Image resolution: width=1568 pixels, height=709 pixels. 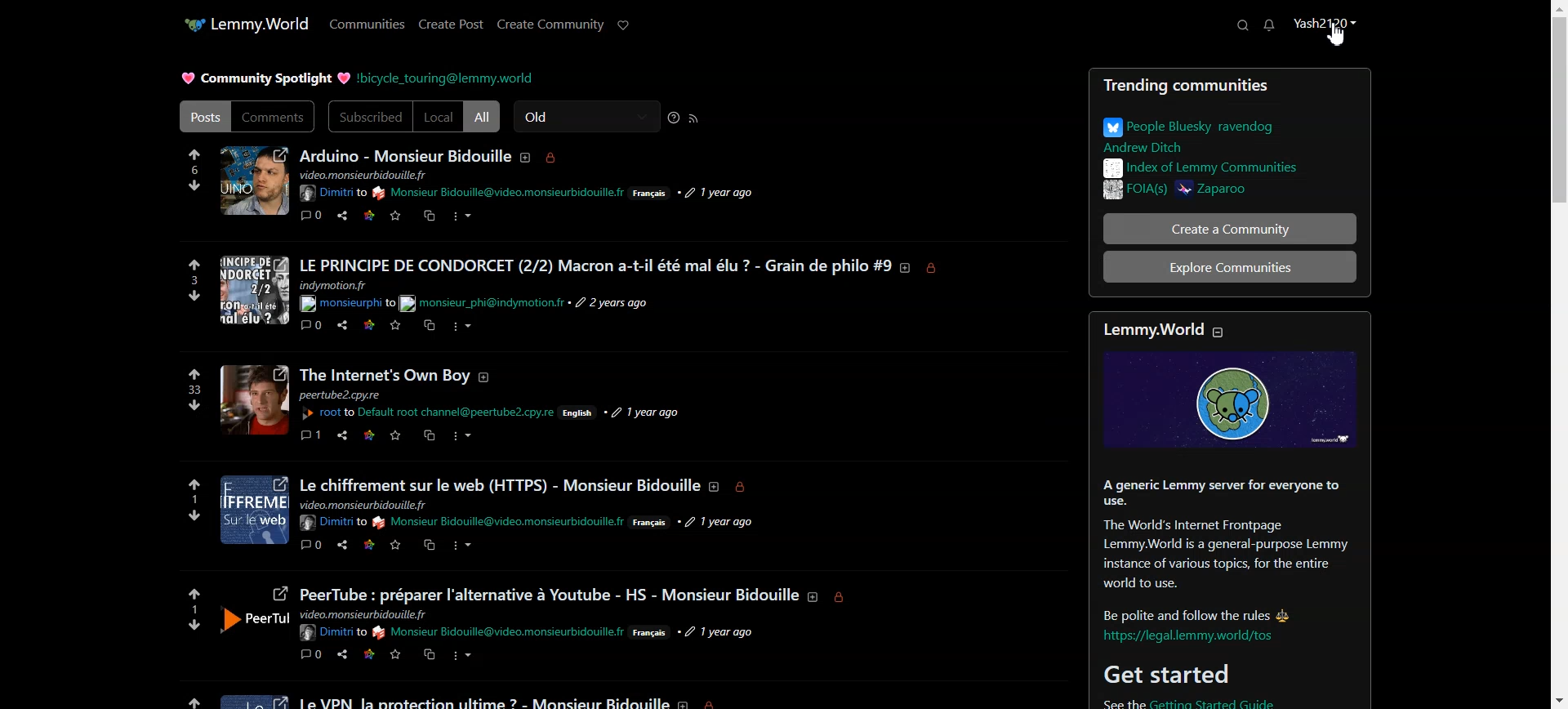 What do you see at coordinates (428, 653) in the screenshot?
I see `copy` at bounding box center [428, 653].